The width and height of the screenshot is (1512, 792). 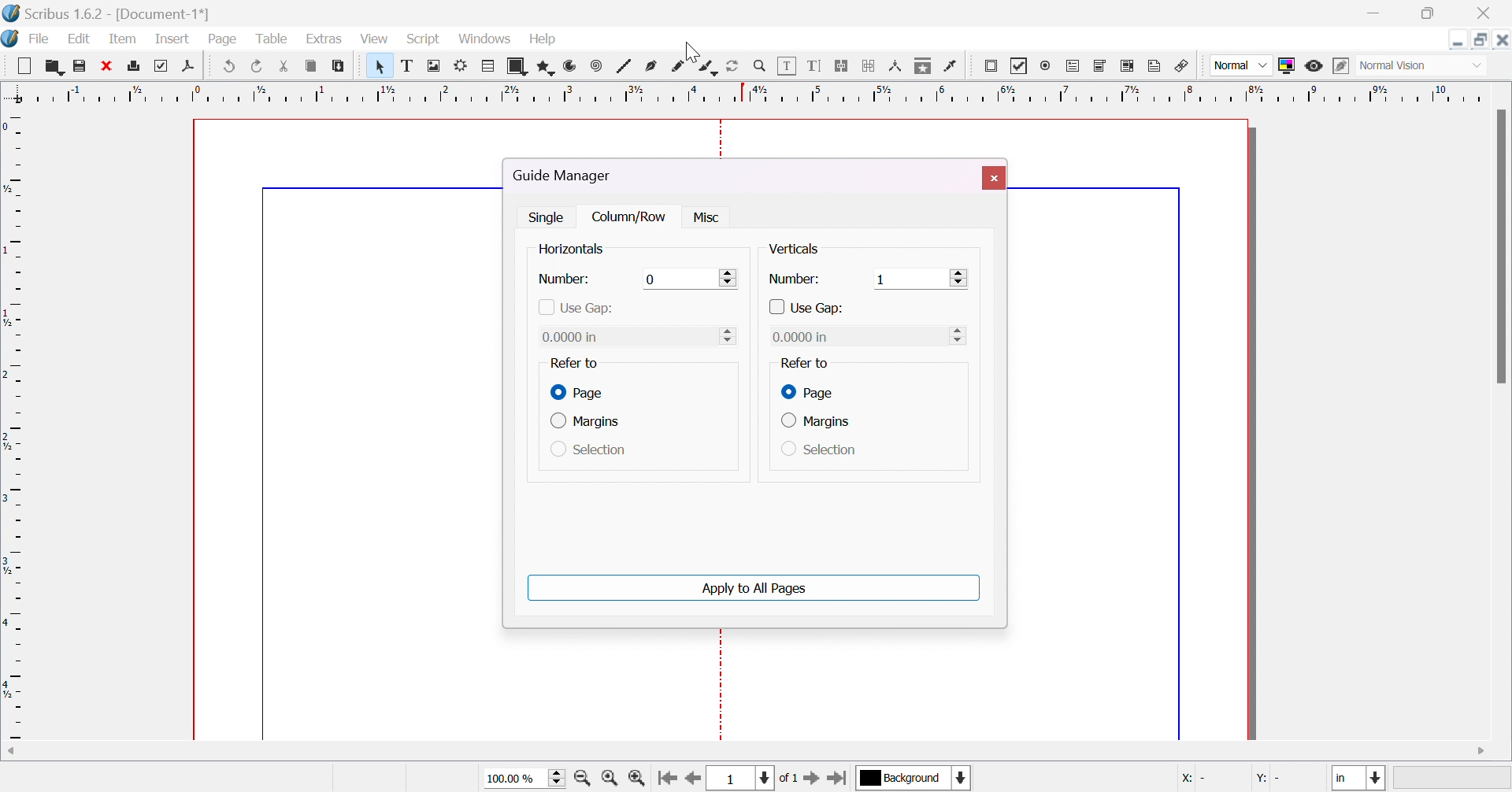 What do you see at coordinates (991, 68) in the screenshot?
I see `PDF push button` at bounding box center [991, 68].